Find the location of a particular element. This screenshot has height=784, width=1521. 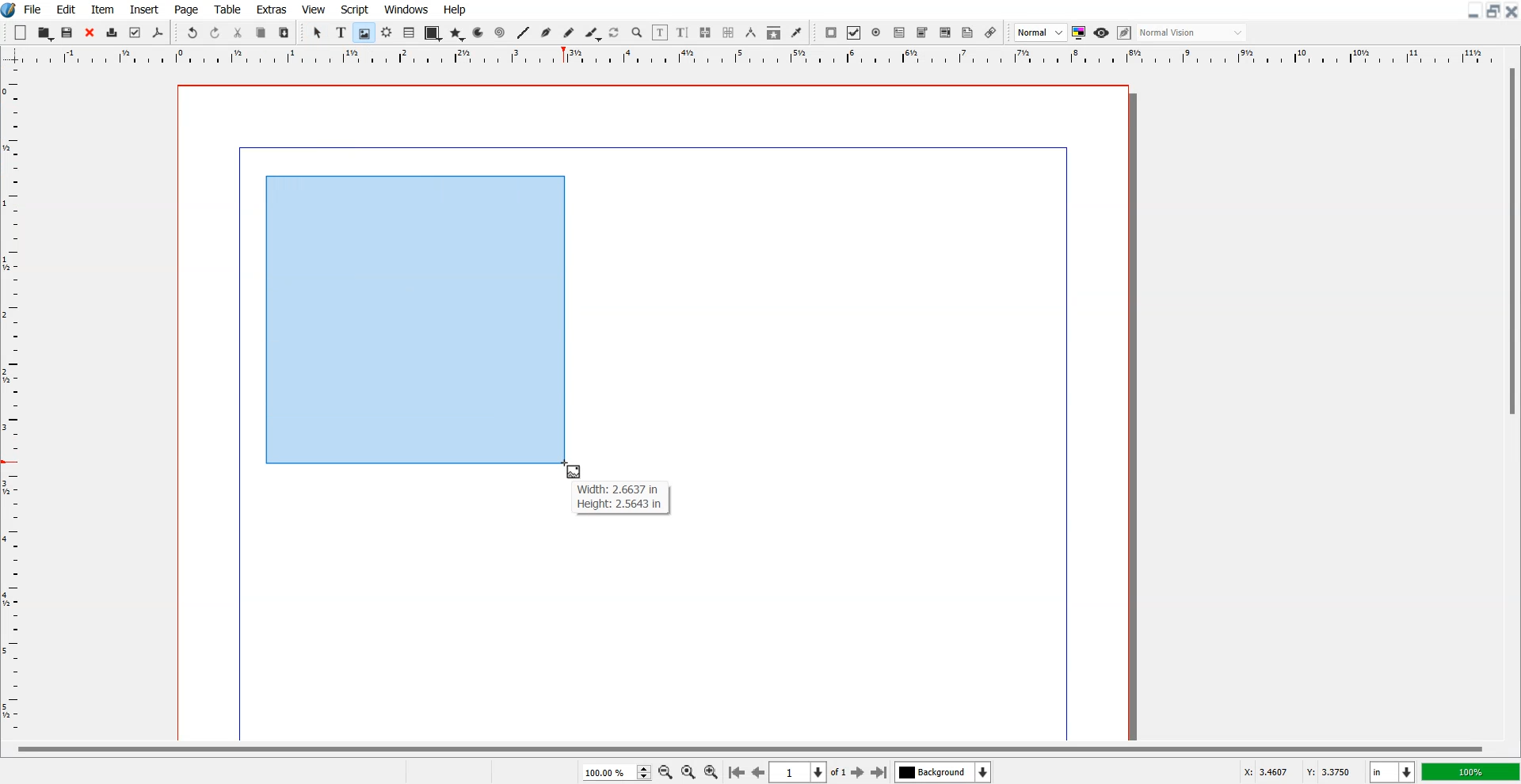

Edit is located at coordinates (66, 9).